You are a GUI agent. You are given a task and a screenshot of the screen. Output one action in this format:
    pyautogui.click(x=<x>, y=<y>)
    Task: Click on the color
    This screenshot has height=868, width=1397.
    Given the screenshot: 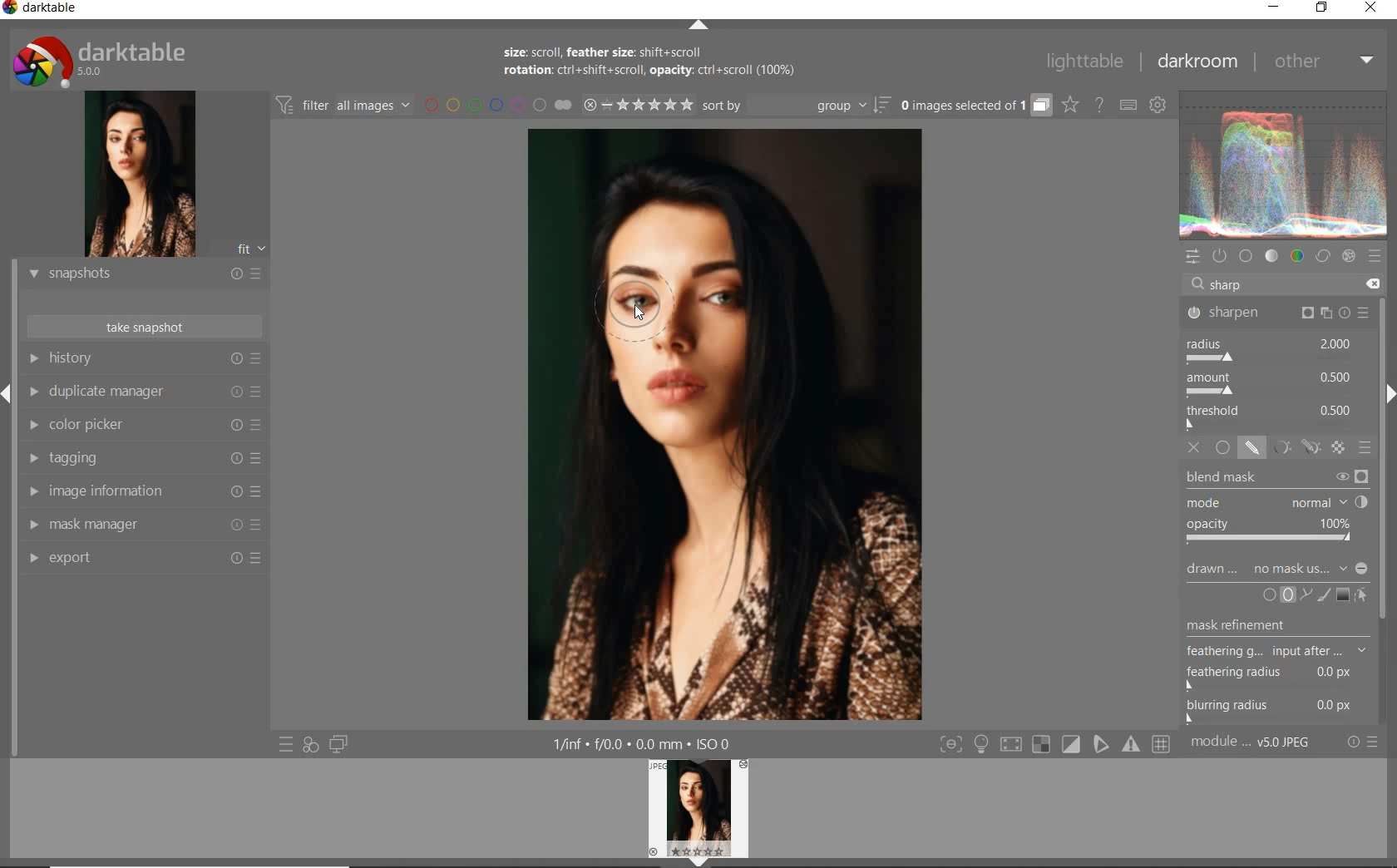 What is the action you would take?
    pyautogui.click(x=1298, y=257)
    